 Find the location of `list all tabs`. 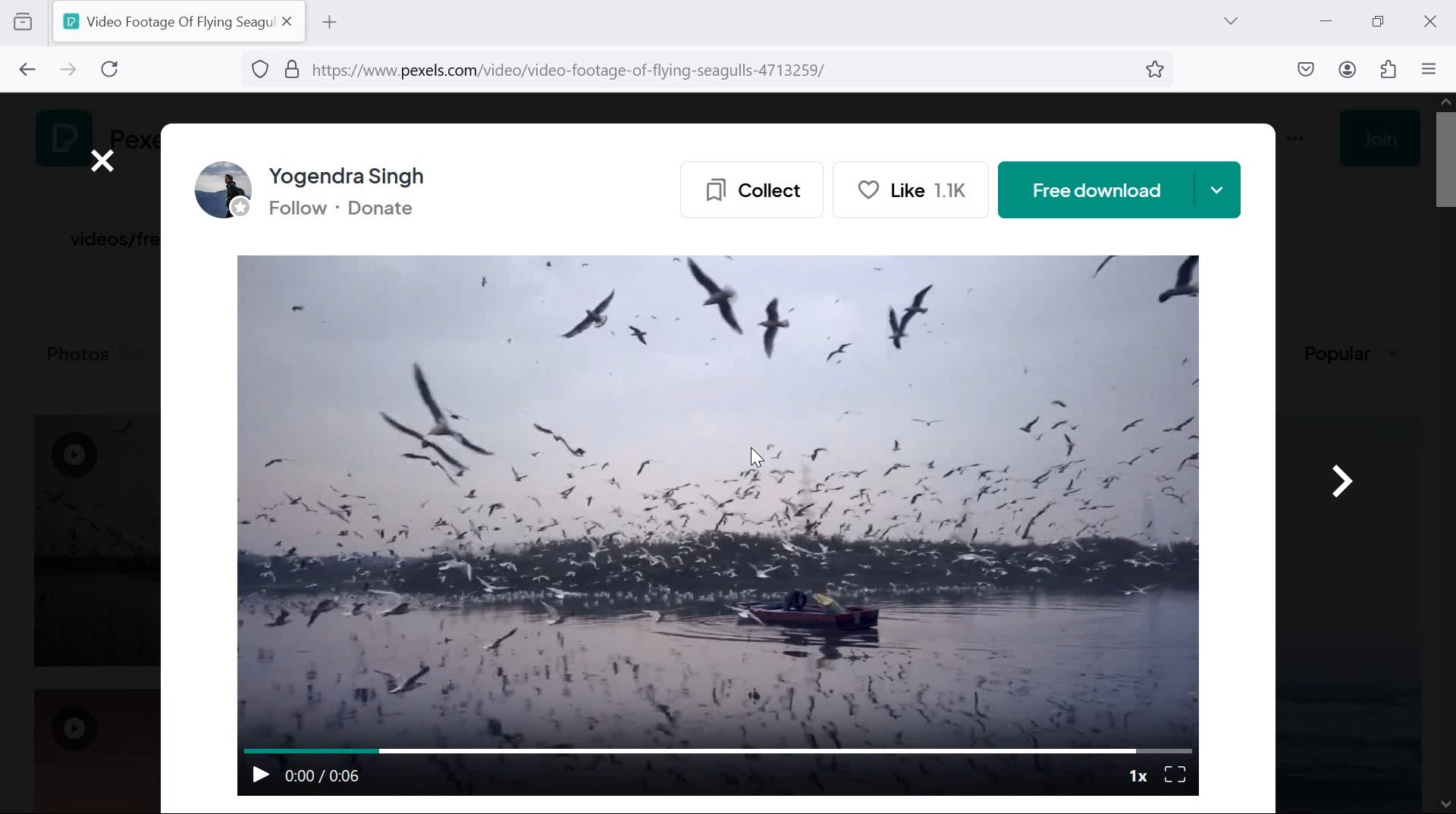

list all tabs is located at coordinates (1230, 21).